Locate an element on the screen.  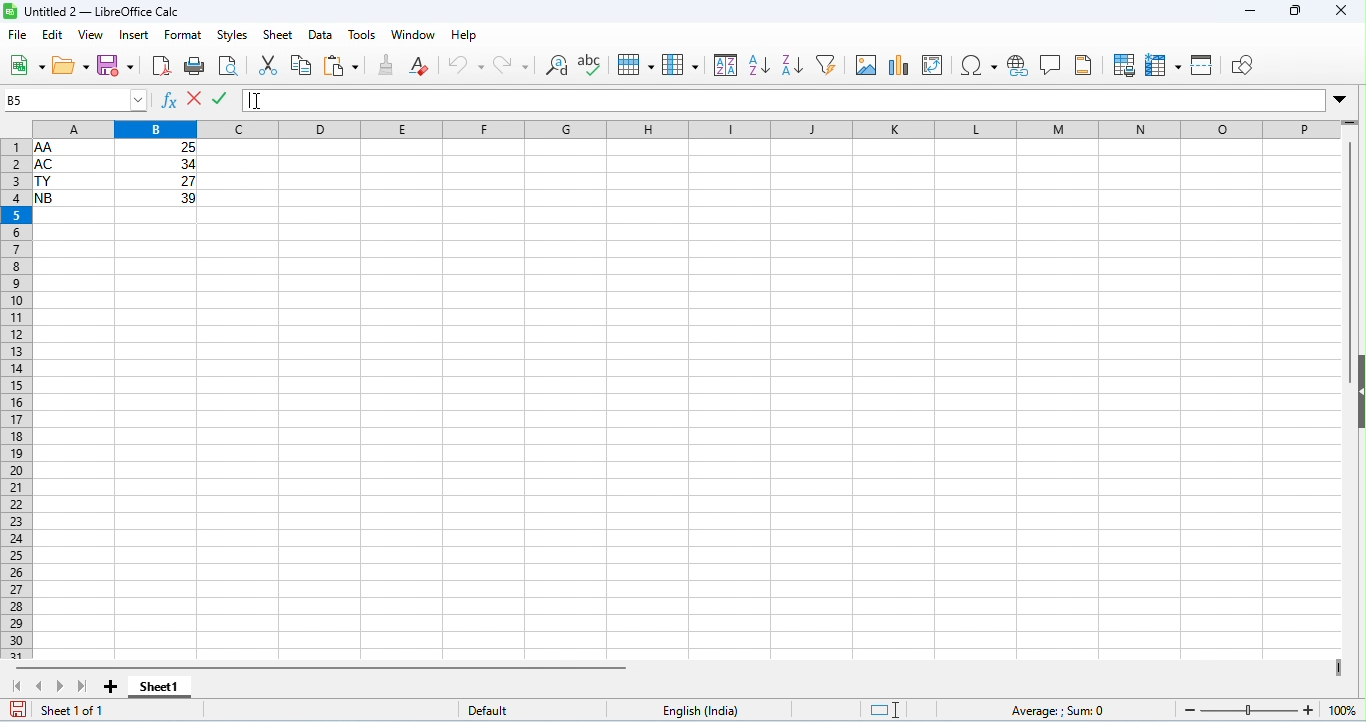
tools is located at coordinates (363, 36).